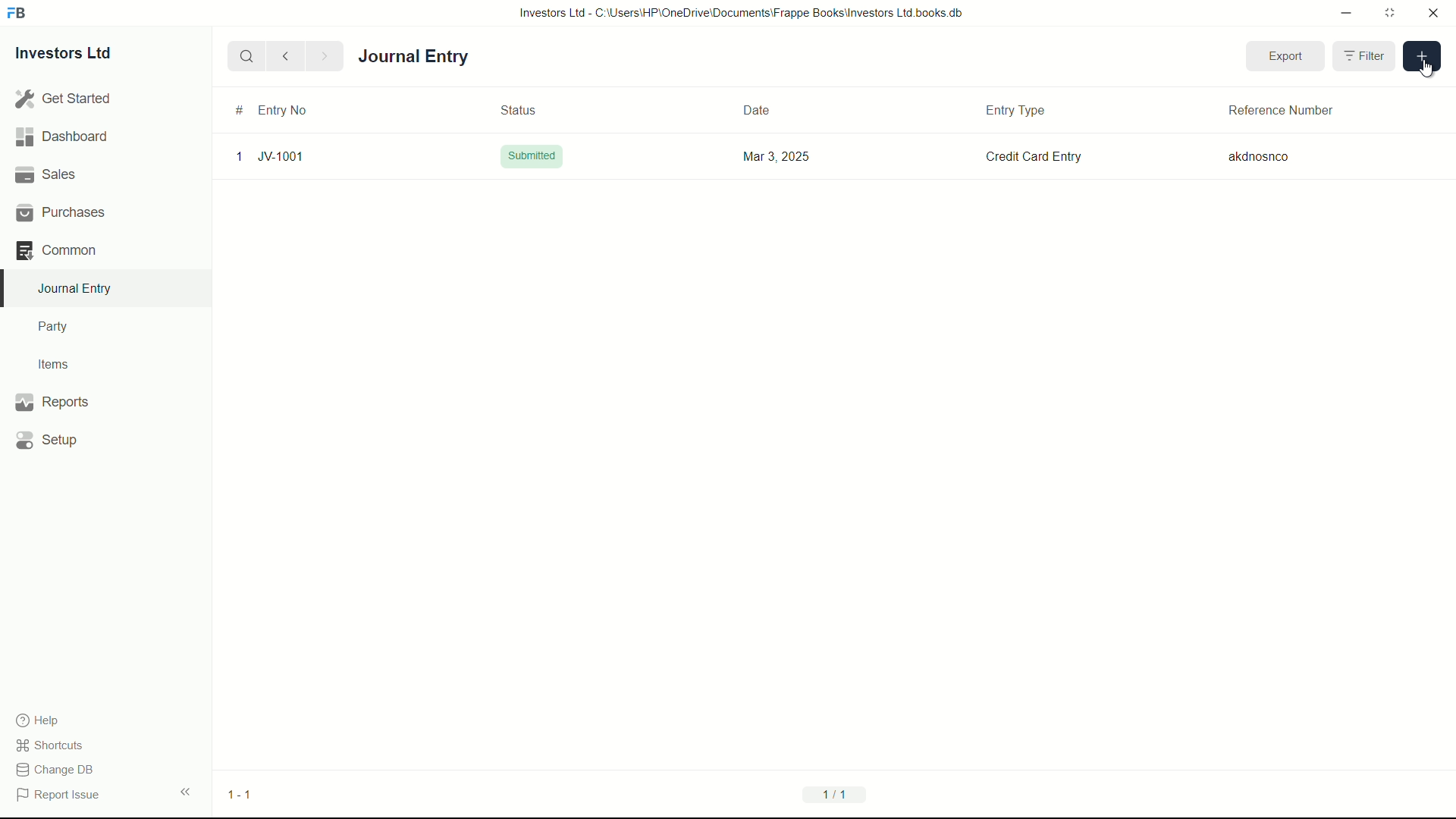 Image resolution: width=1456 pixels, height=819 pixels. What do you see at coordinates (1285, 58) in the screenshot?
I see `Export` at bounding box center [1285, 58].